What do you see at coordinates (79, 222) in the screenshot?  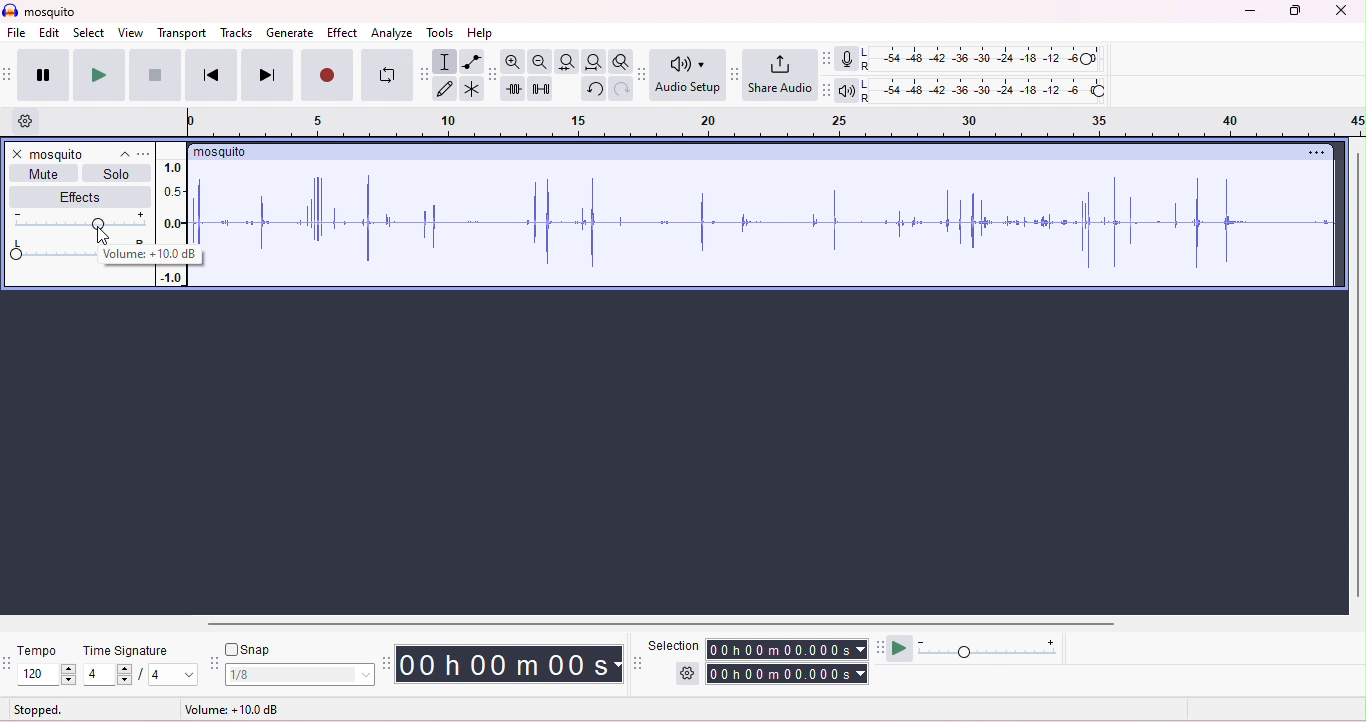 I see `volume` at bounding box center [79, 222].